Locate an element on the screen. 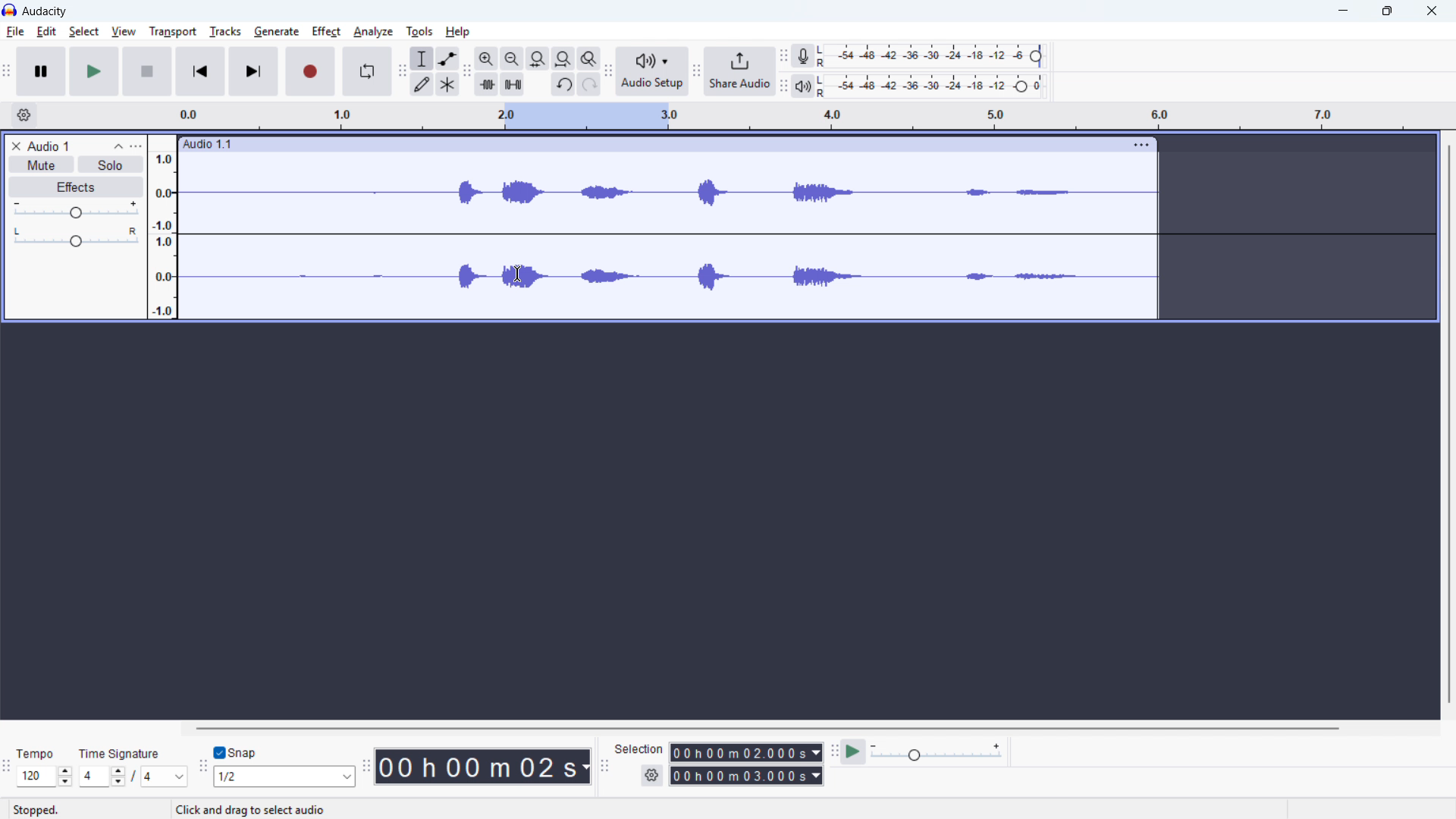  Pause is located at coordinates (42, 71).